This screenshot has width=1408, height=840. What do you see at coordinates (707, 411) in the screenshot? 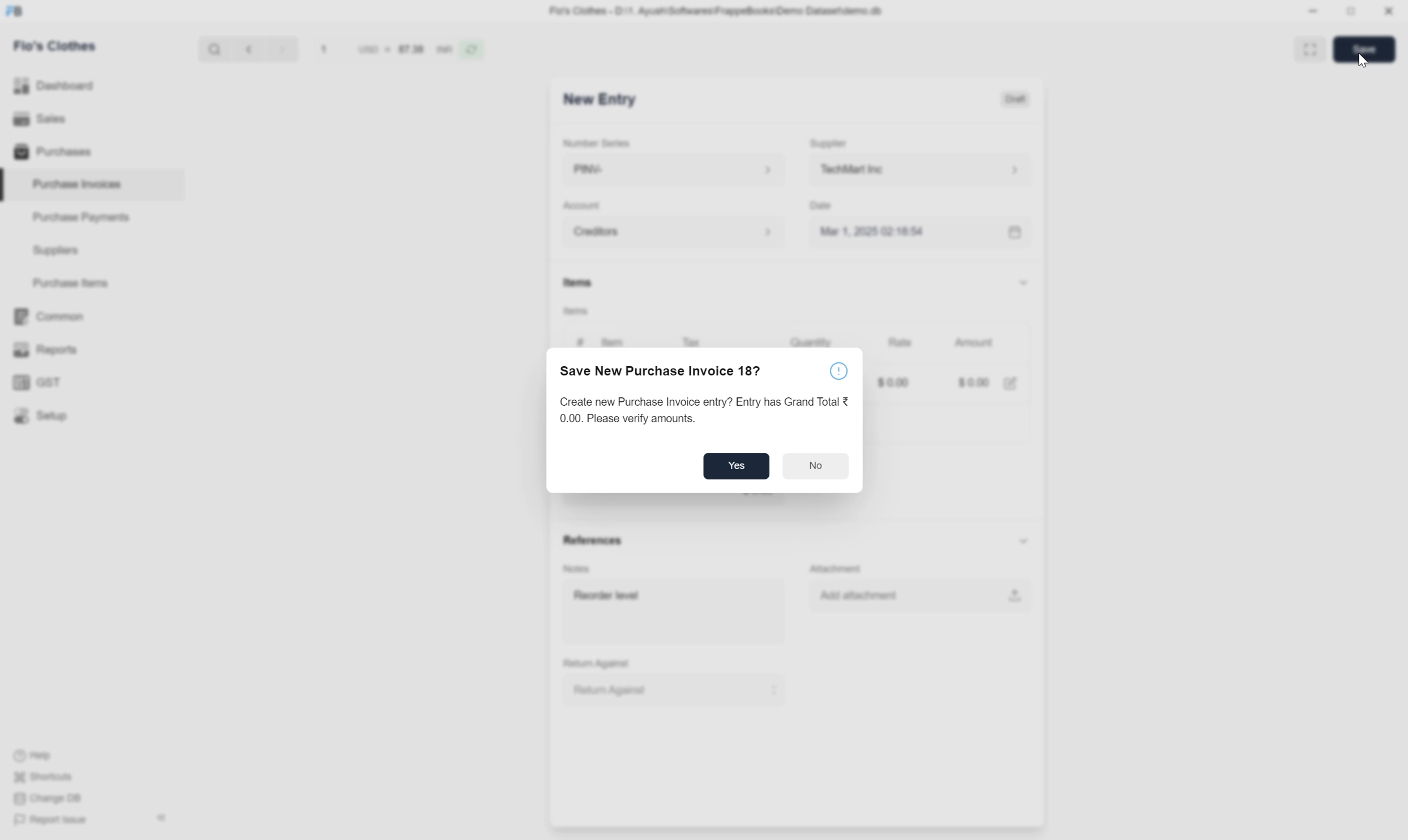
I see `Create new Purchase Invoice entry? Entry has Grand Total
0.00. Please verify amounts.` at bounding box center [707, 411].